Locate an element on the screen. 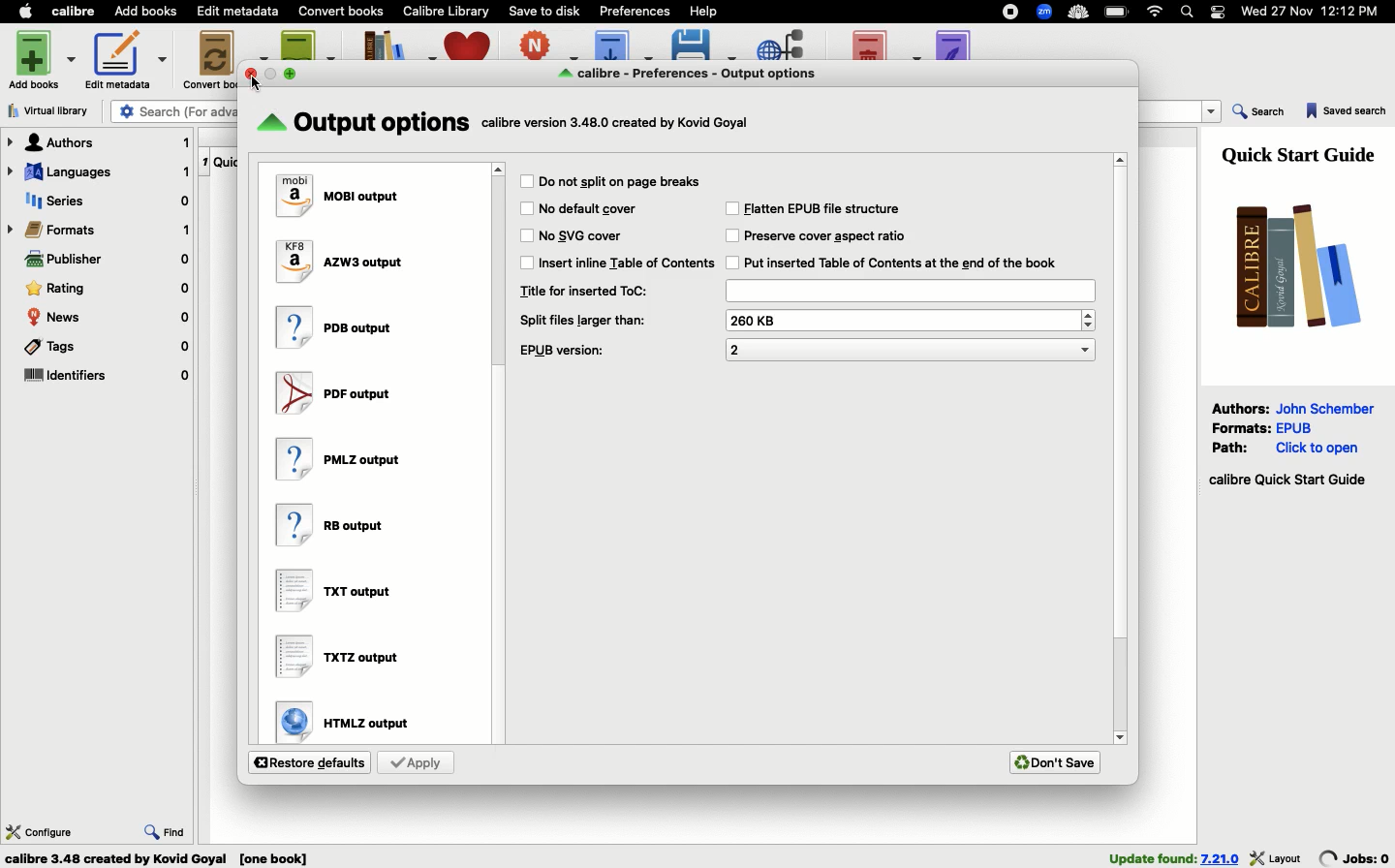  Formats is located at coordinates (1242, 426).